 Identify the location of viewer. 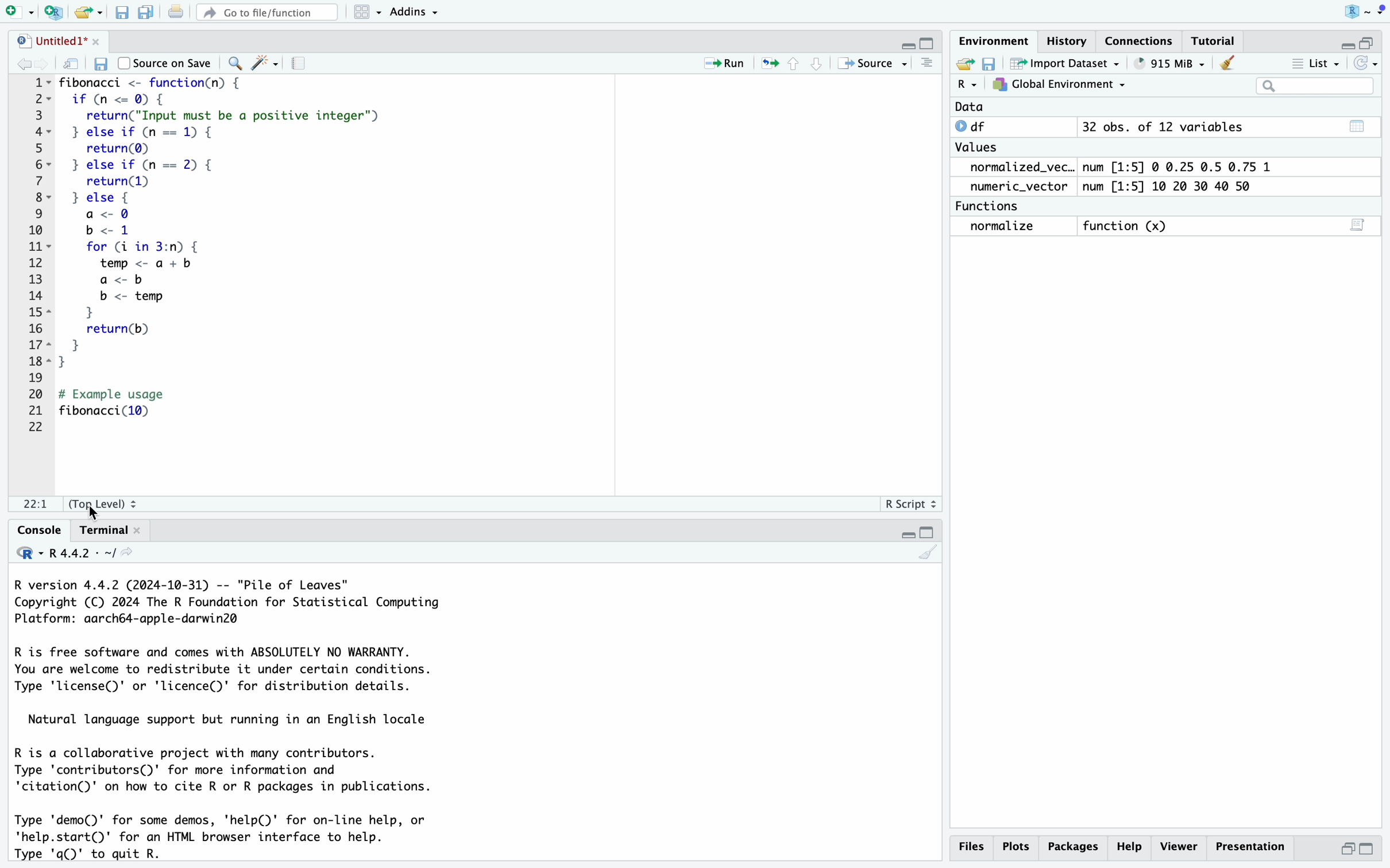
(1179, 846).